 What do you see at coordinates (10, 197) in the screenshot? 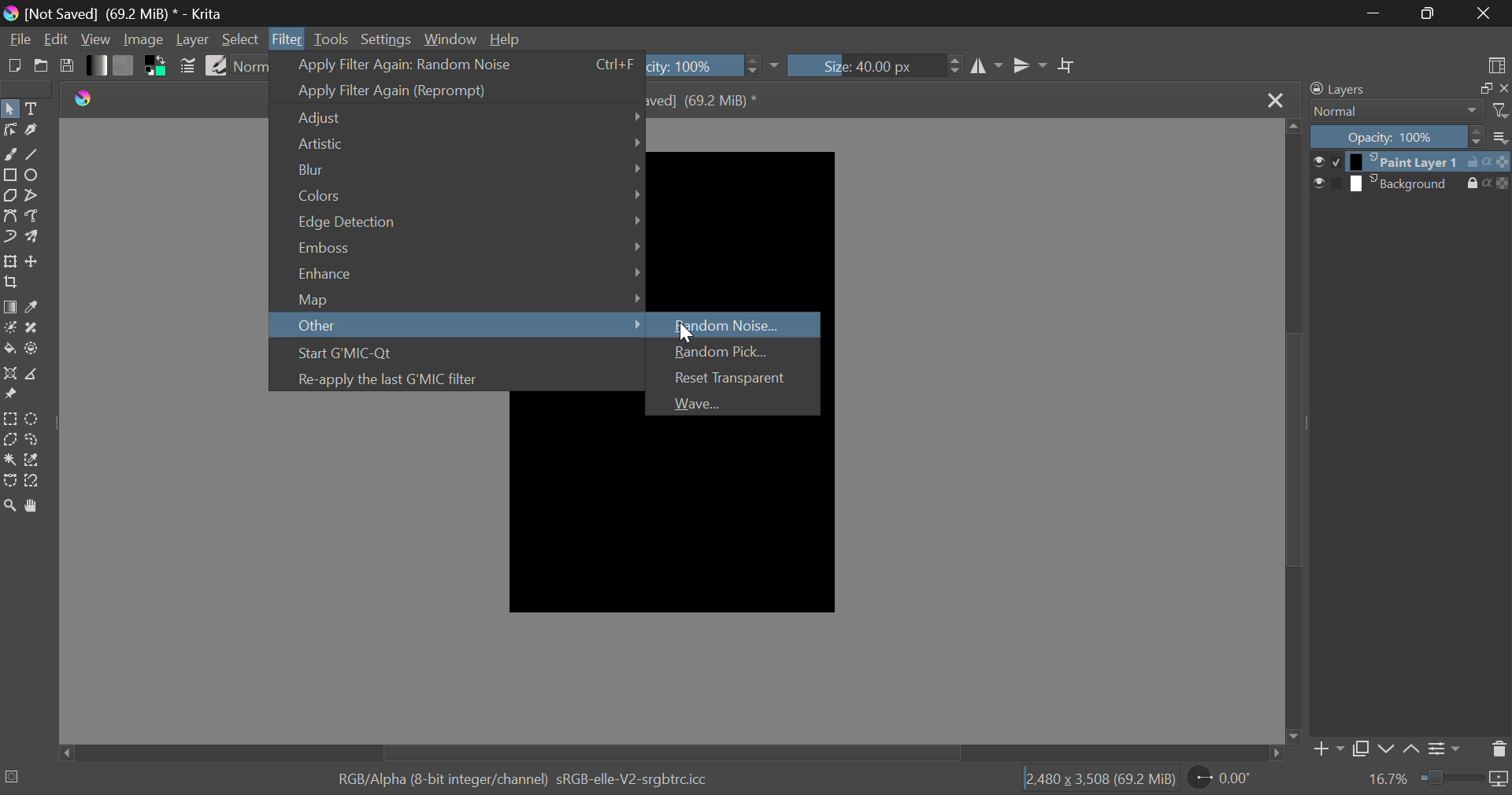
I see `Polygons` at bounding box center [10, 197].